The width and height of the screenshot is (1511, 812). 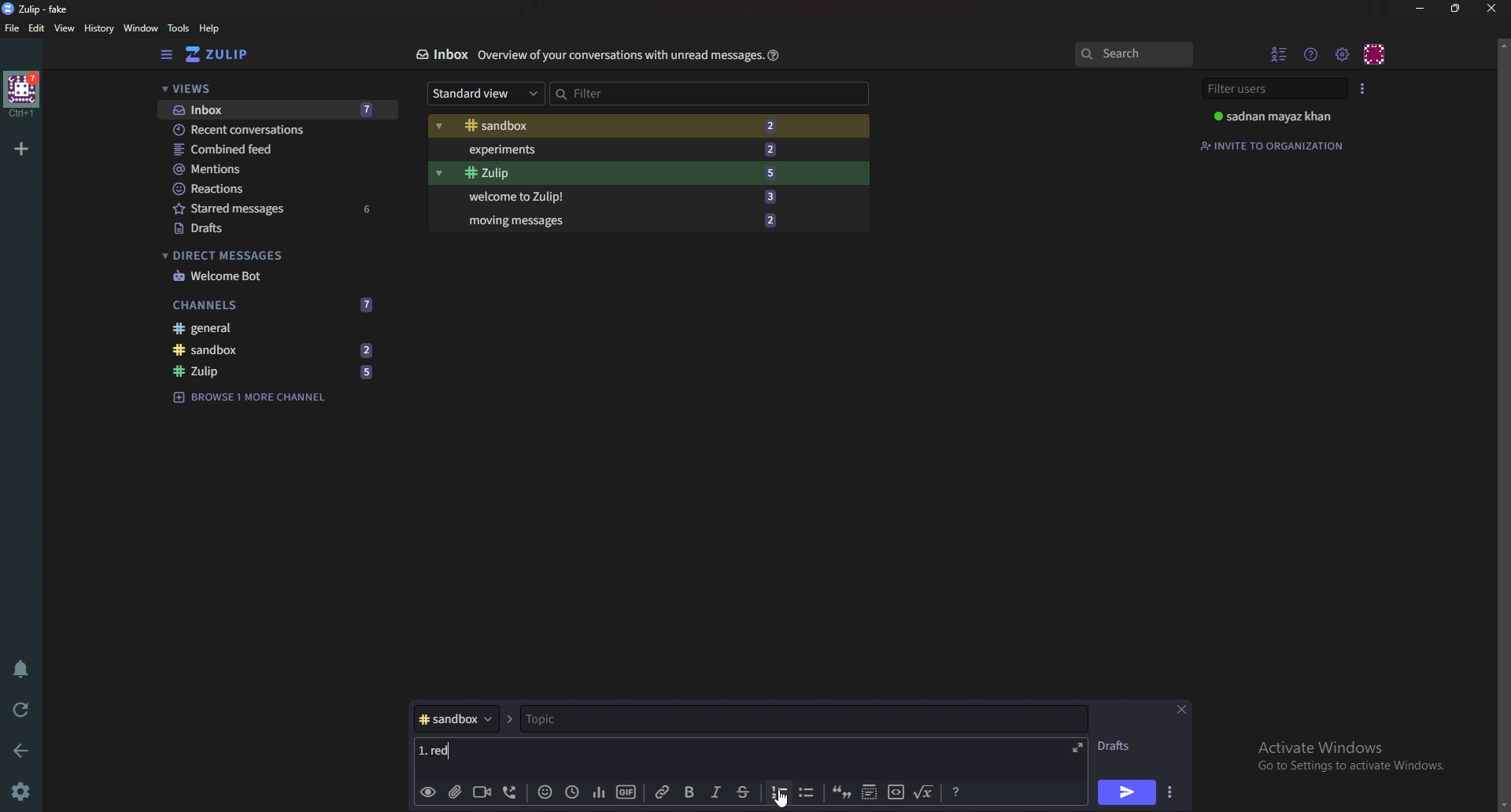 I want to click on Emoji, so click(x=542, y=793).